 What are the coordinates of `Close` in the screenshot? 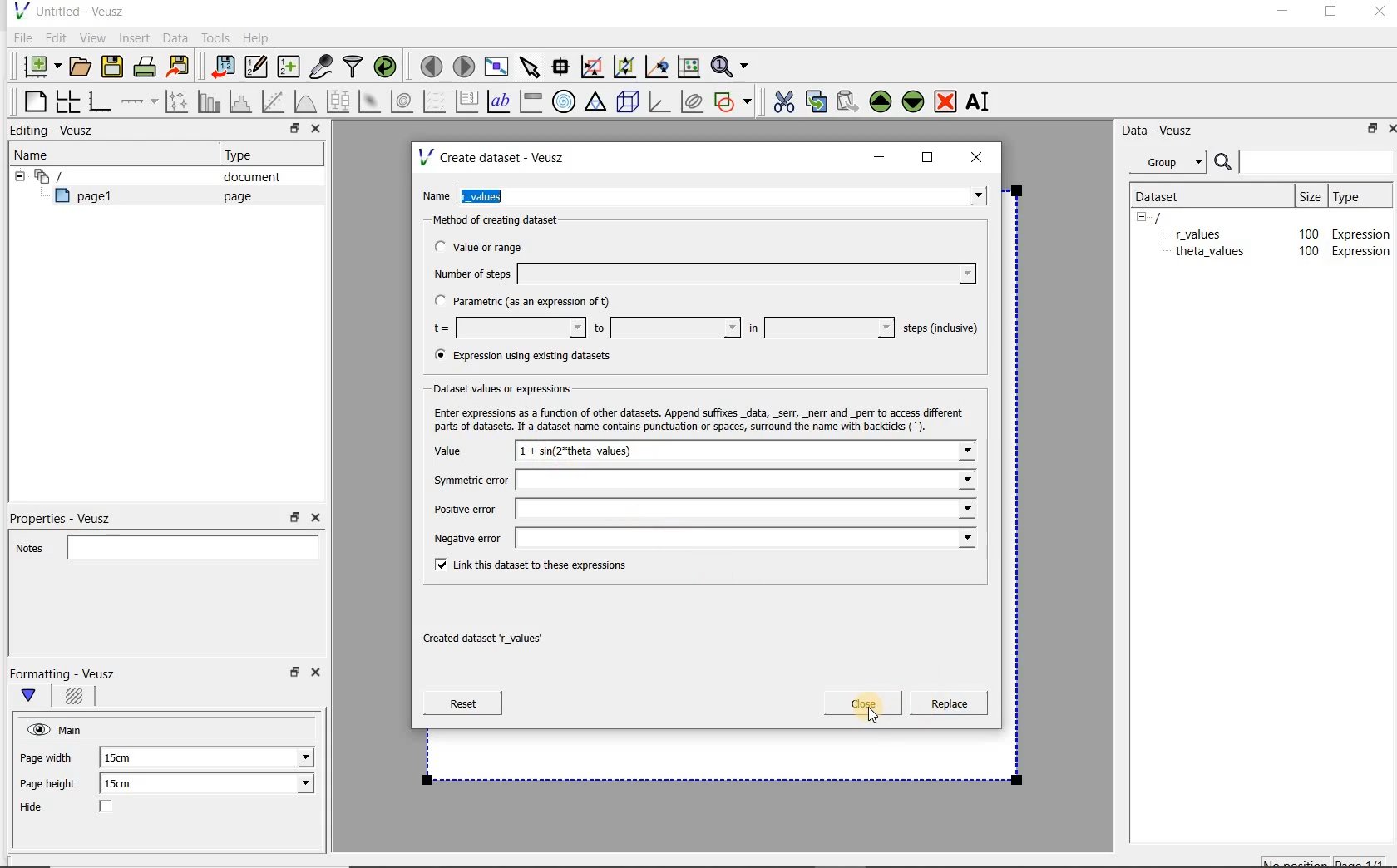 It's located at (863, 703).